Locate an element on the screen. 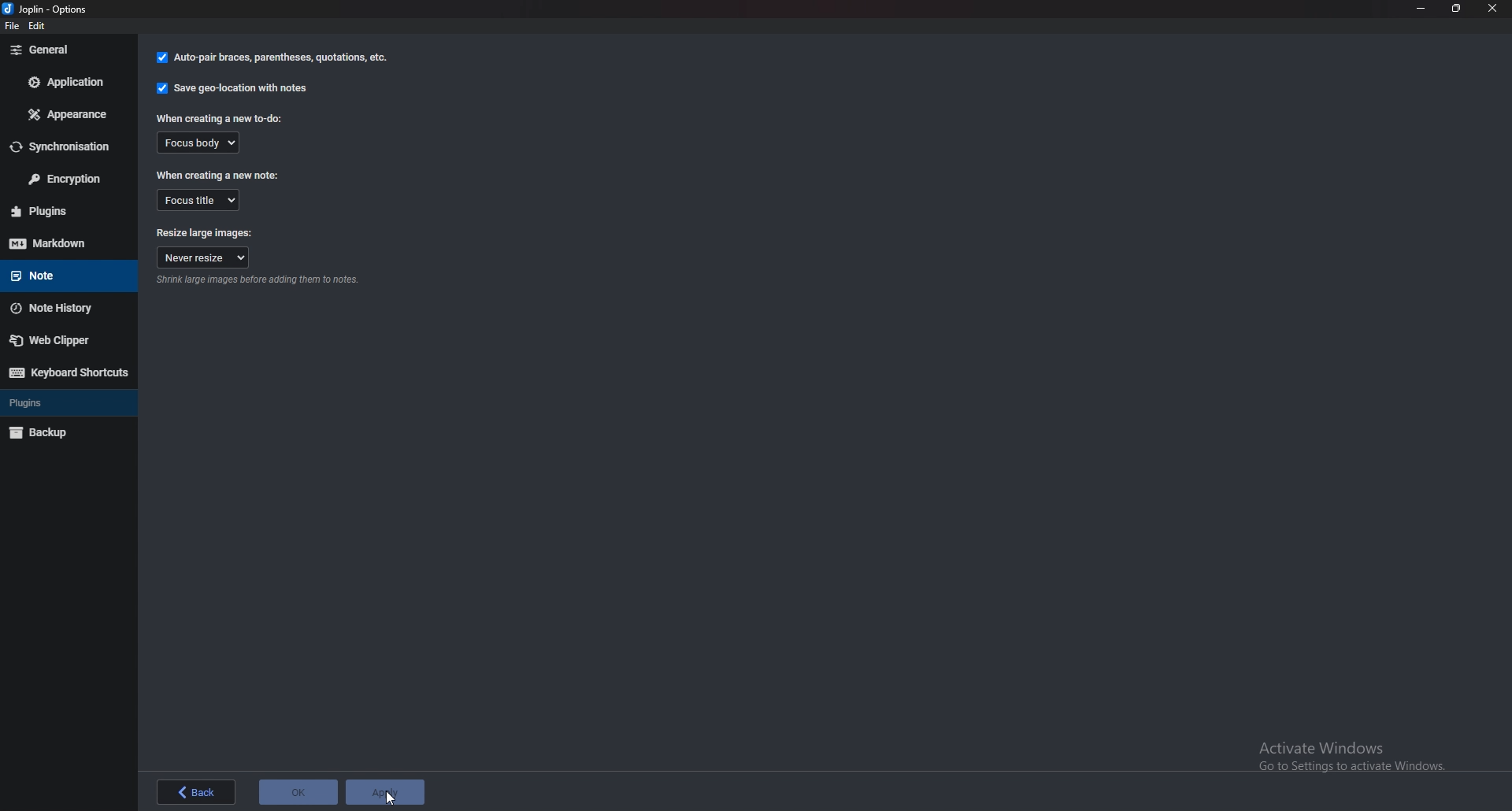 The height and width of the screenshot is (811, 1512). Appearance is located at coordinates (69, 113).